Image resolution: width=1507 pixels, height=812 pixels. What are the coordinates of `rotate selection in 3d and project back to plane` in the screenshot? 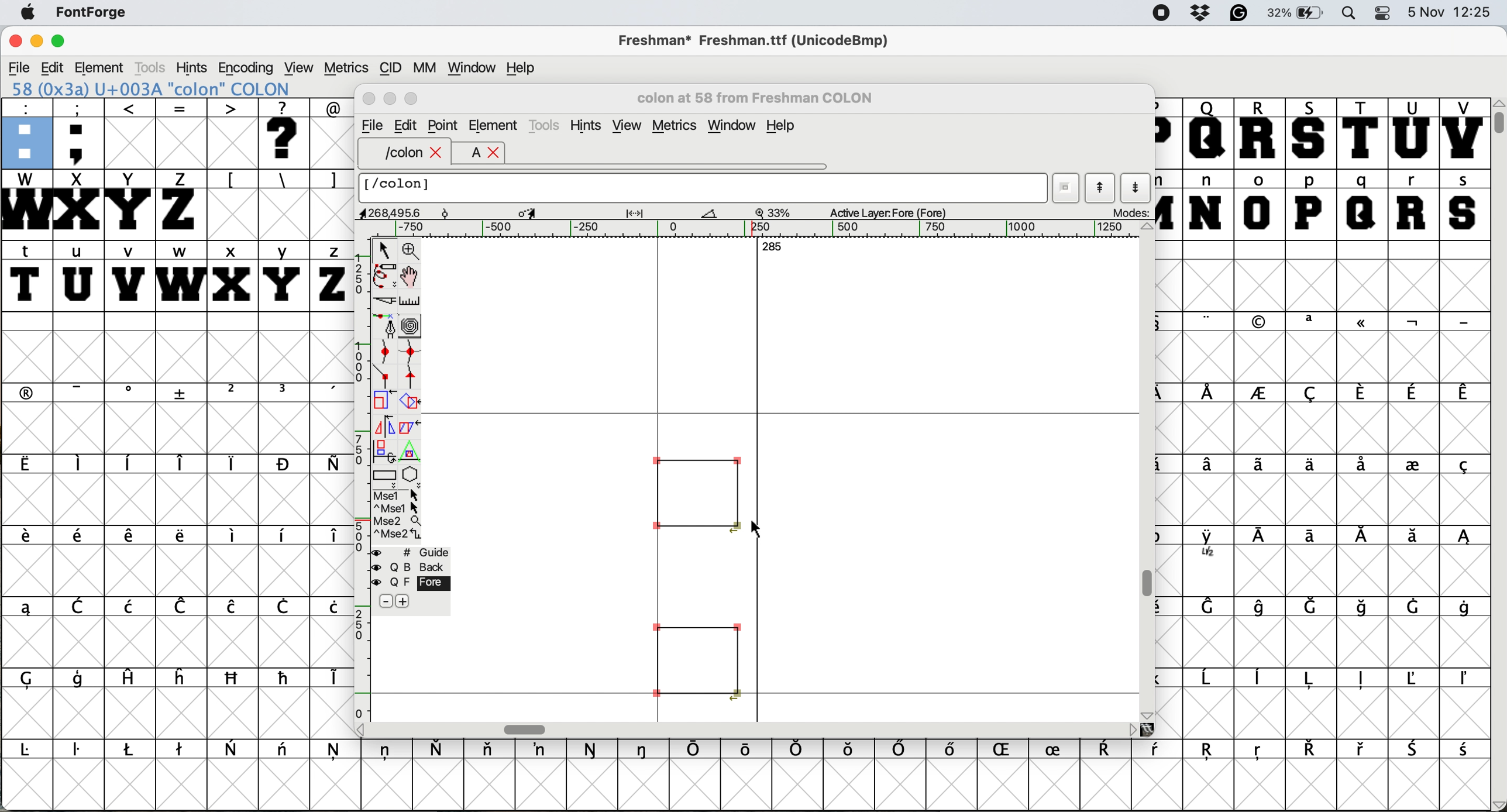 It's located at (384, 446).